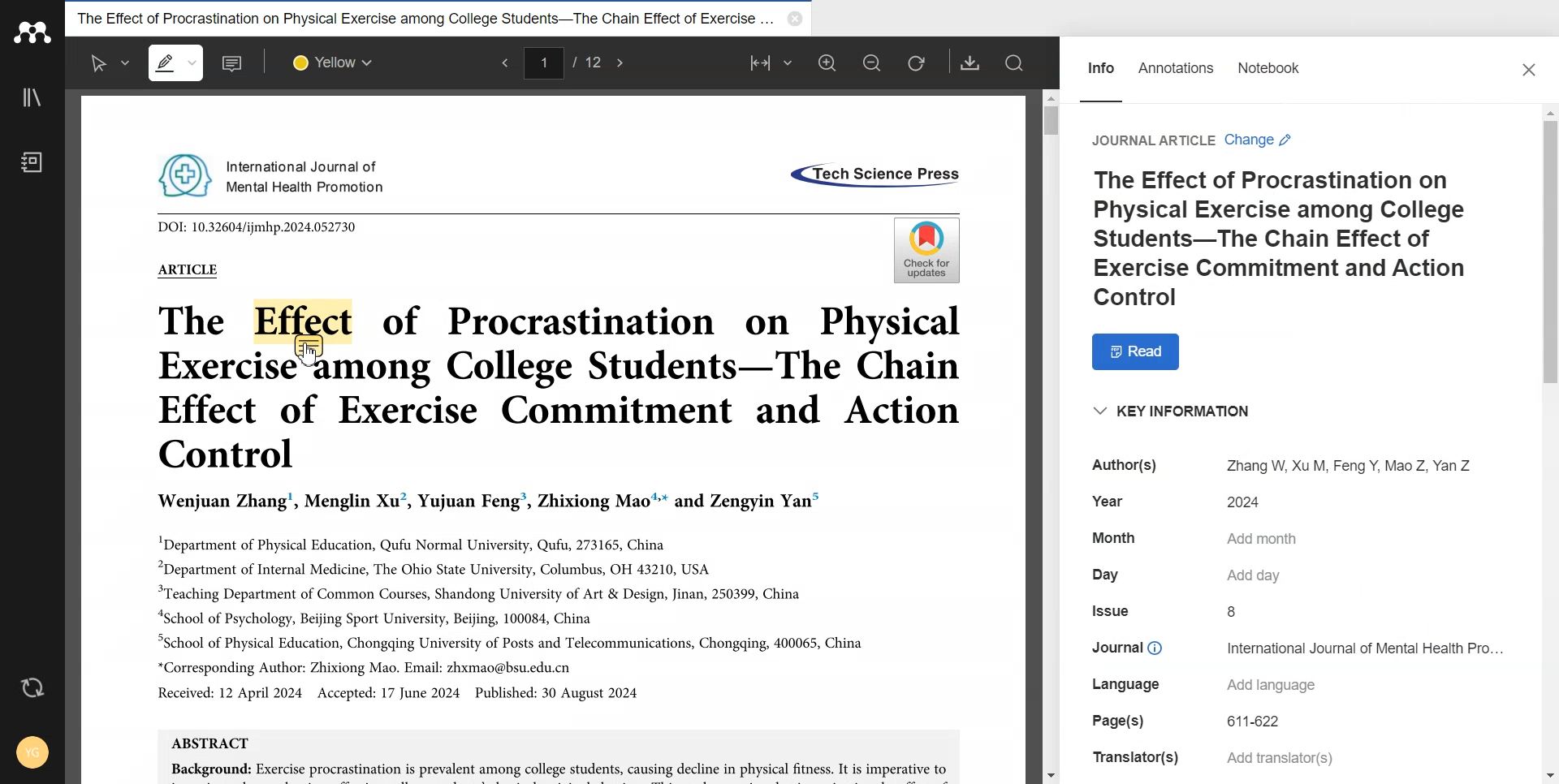 This screenshot has height=784, width=1559. I want to click on Auto sync, so click(34, 690).